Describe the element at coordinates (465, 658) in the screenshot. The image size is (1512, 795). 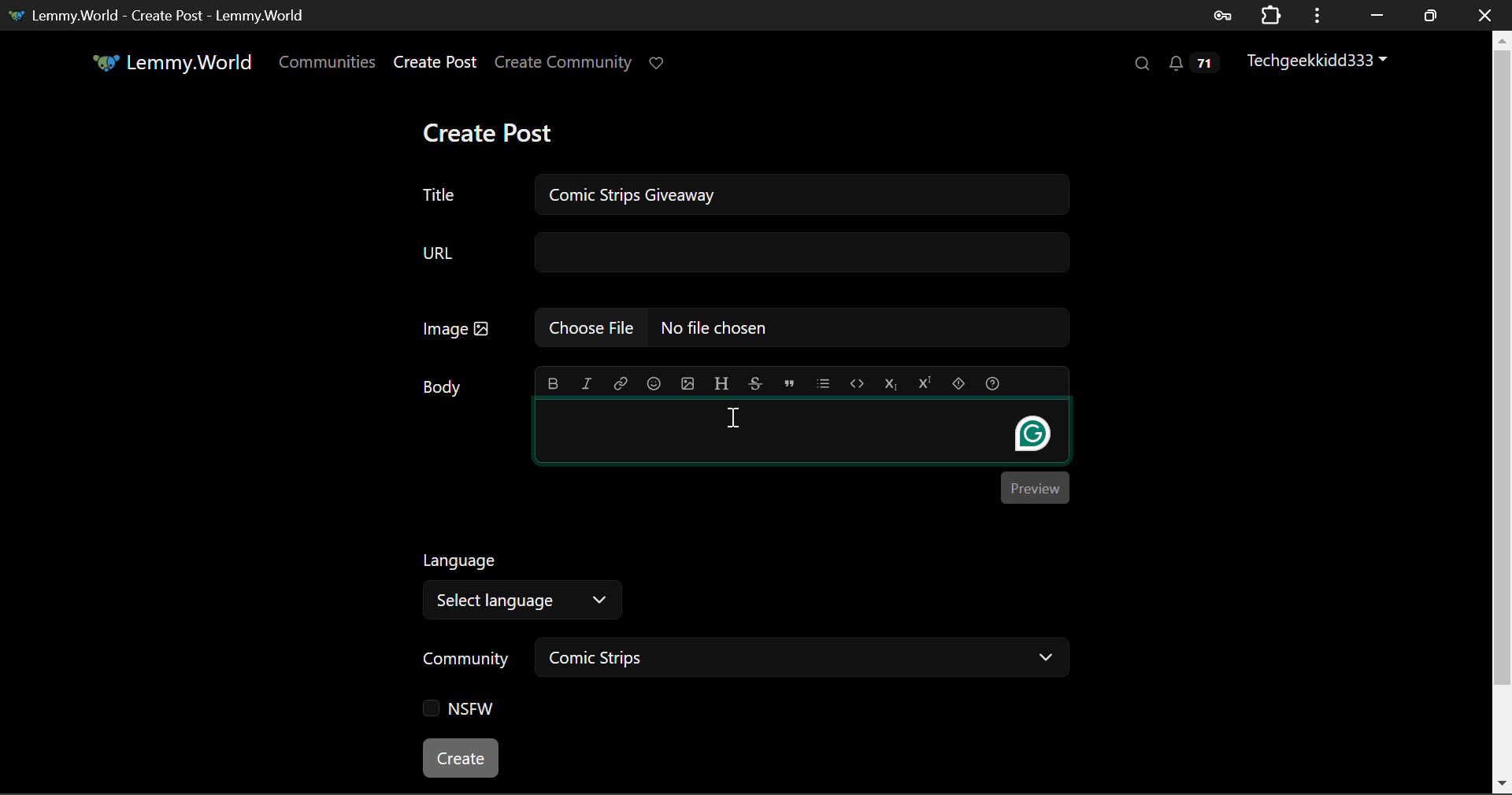
I see `Community` at that location.